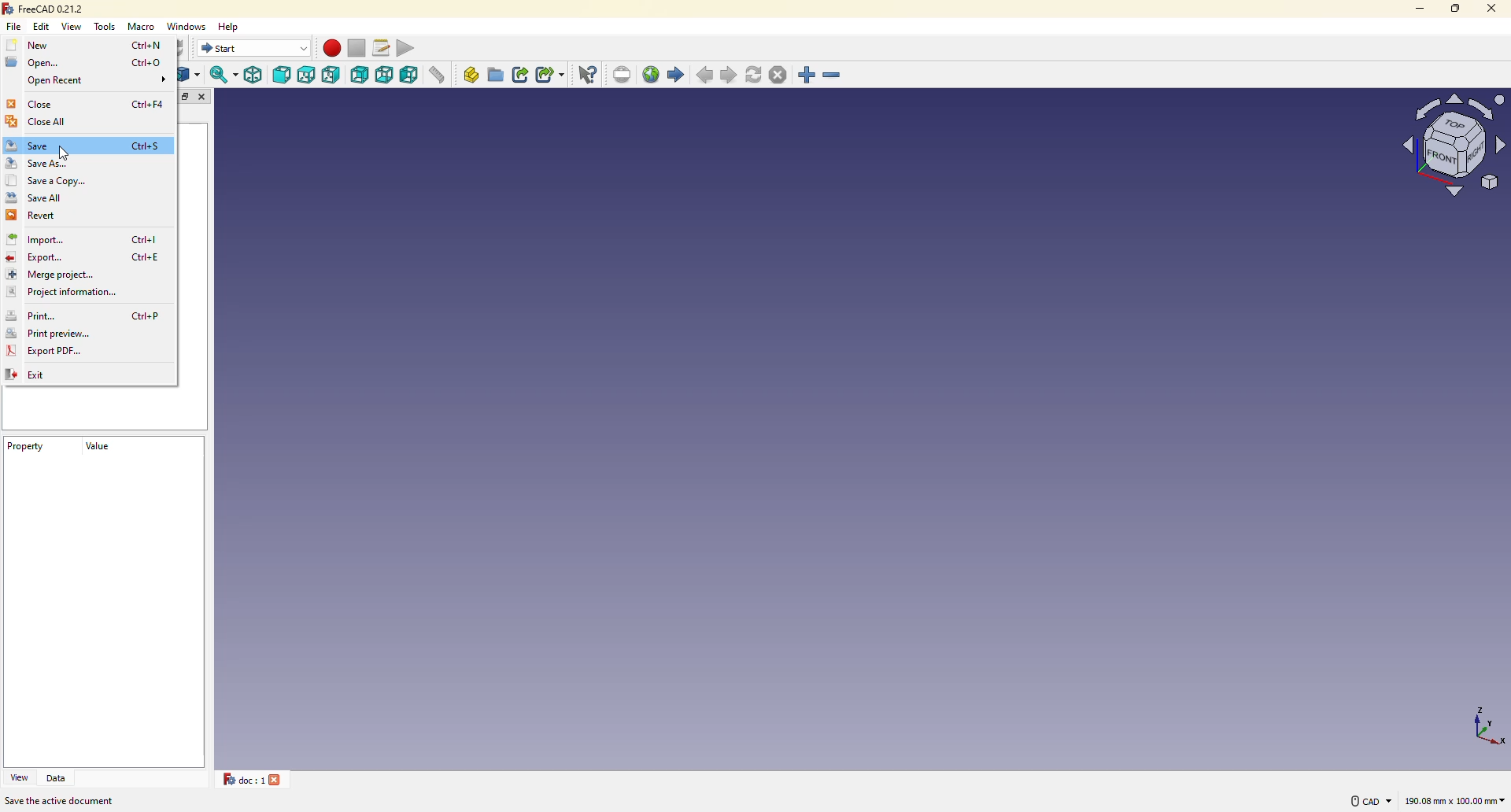 The image size is (1511, 812). I want to click on new, so click(33, 45).